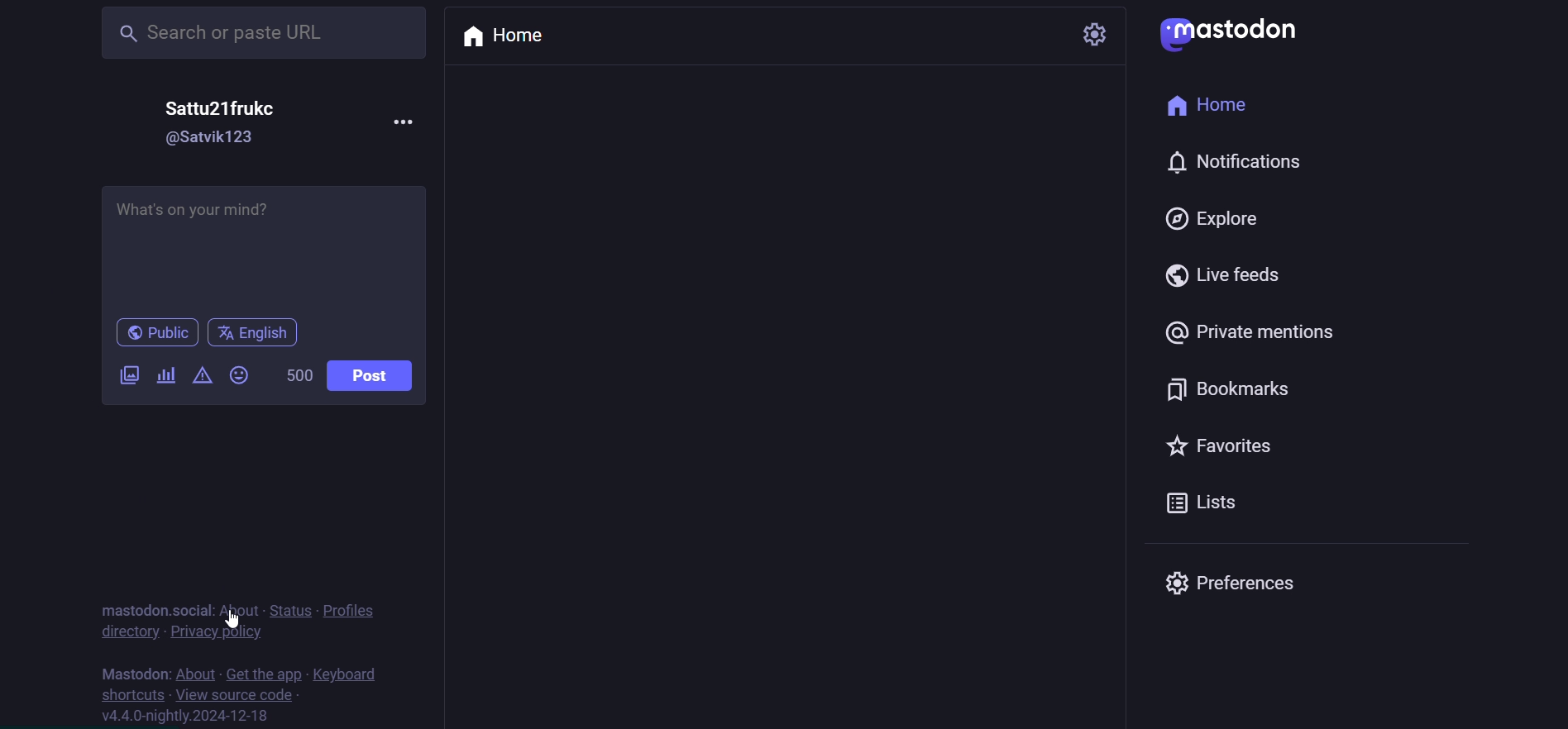 The image size is (1568, 729). What do you see at coordinates (131, 670) in the screenshot?
I see `mastodon` at bounding box center [131, 670].